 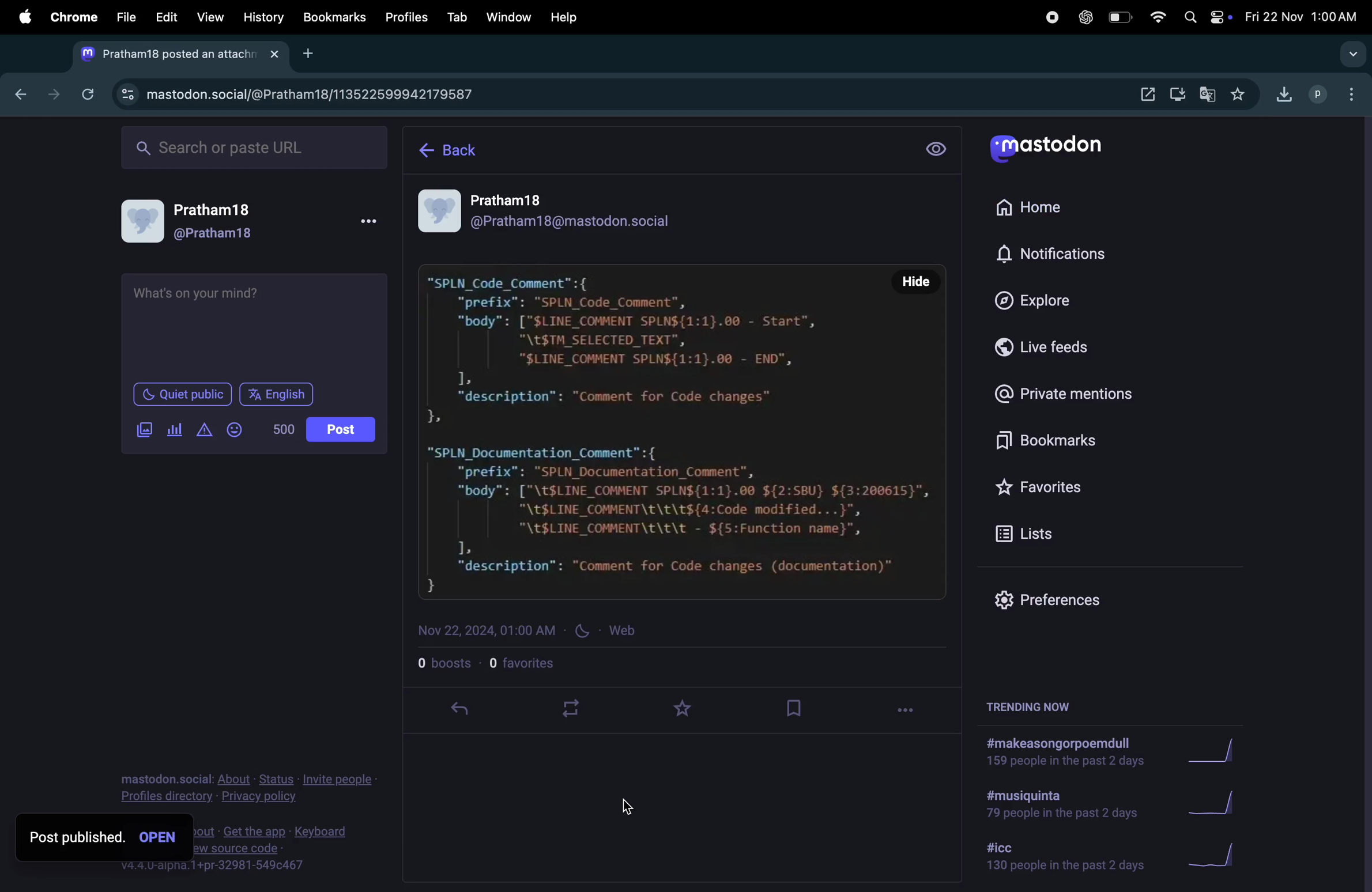 What do you see at coordinates (140, 224) in the screenshot?
I see `display picture` at bounding box center [140, 224].